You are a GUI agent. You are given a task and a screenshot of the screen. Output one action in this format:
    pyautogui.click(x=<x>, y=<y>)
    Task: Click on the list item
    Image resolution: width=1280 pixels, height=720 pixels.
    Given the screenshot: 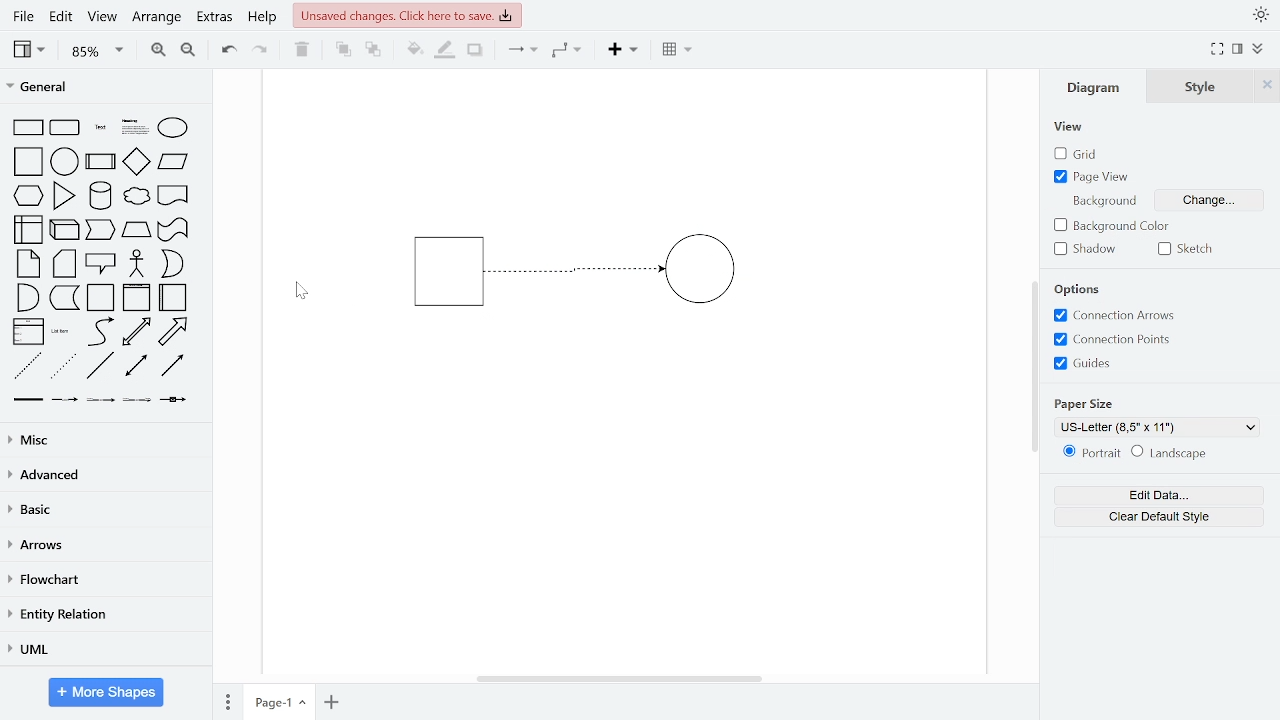 What is the action you would take?
    pyautogui.click(x=61, y=331)
    